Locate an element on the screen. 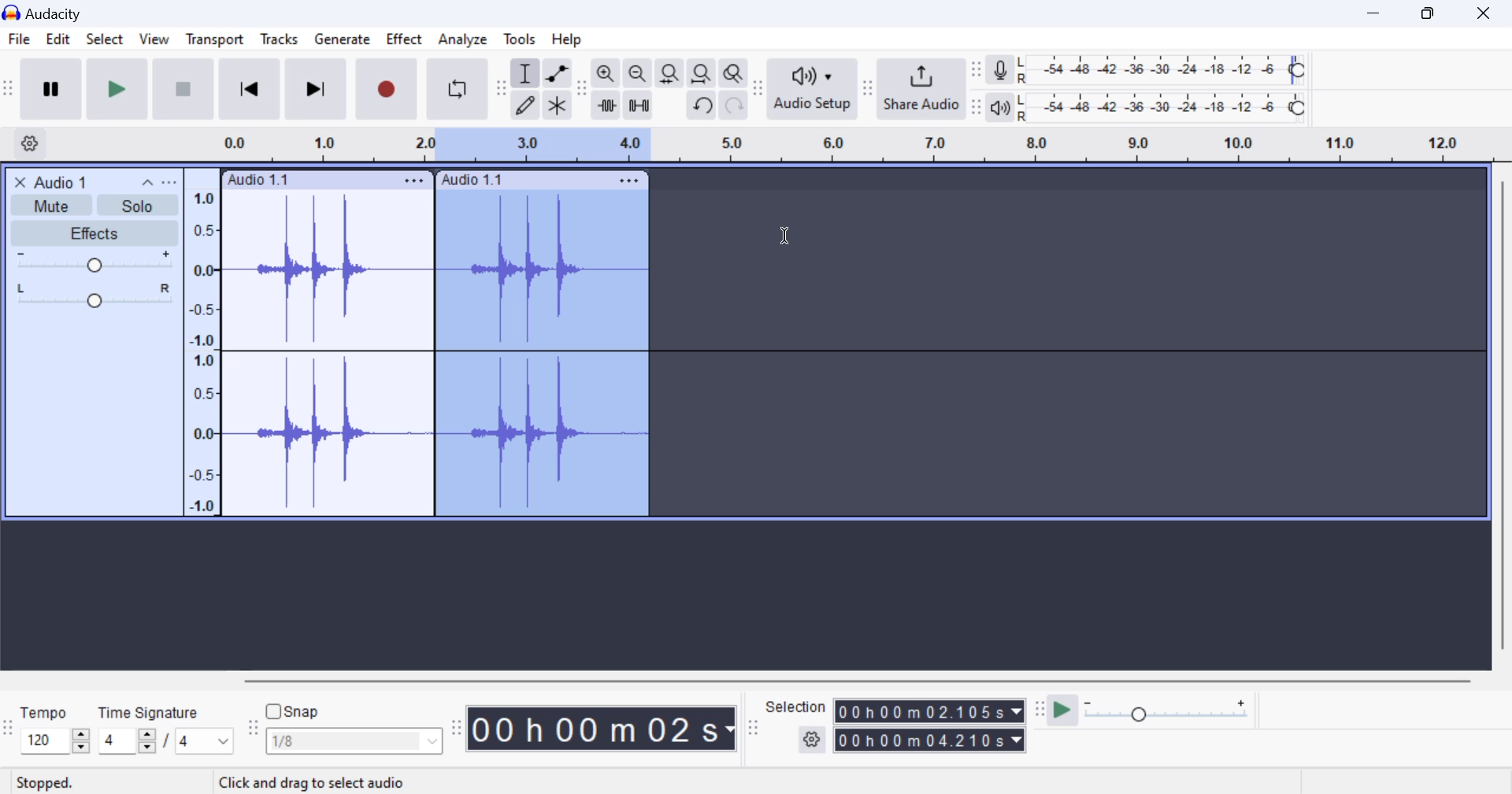 This screenshot has height=794, width=1512. multi tool is located at coordinates (558, 106).